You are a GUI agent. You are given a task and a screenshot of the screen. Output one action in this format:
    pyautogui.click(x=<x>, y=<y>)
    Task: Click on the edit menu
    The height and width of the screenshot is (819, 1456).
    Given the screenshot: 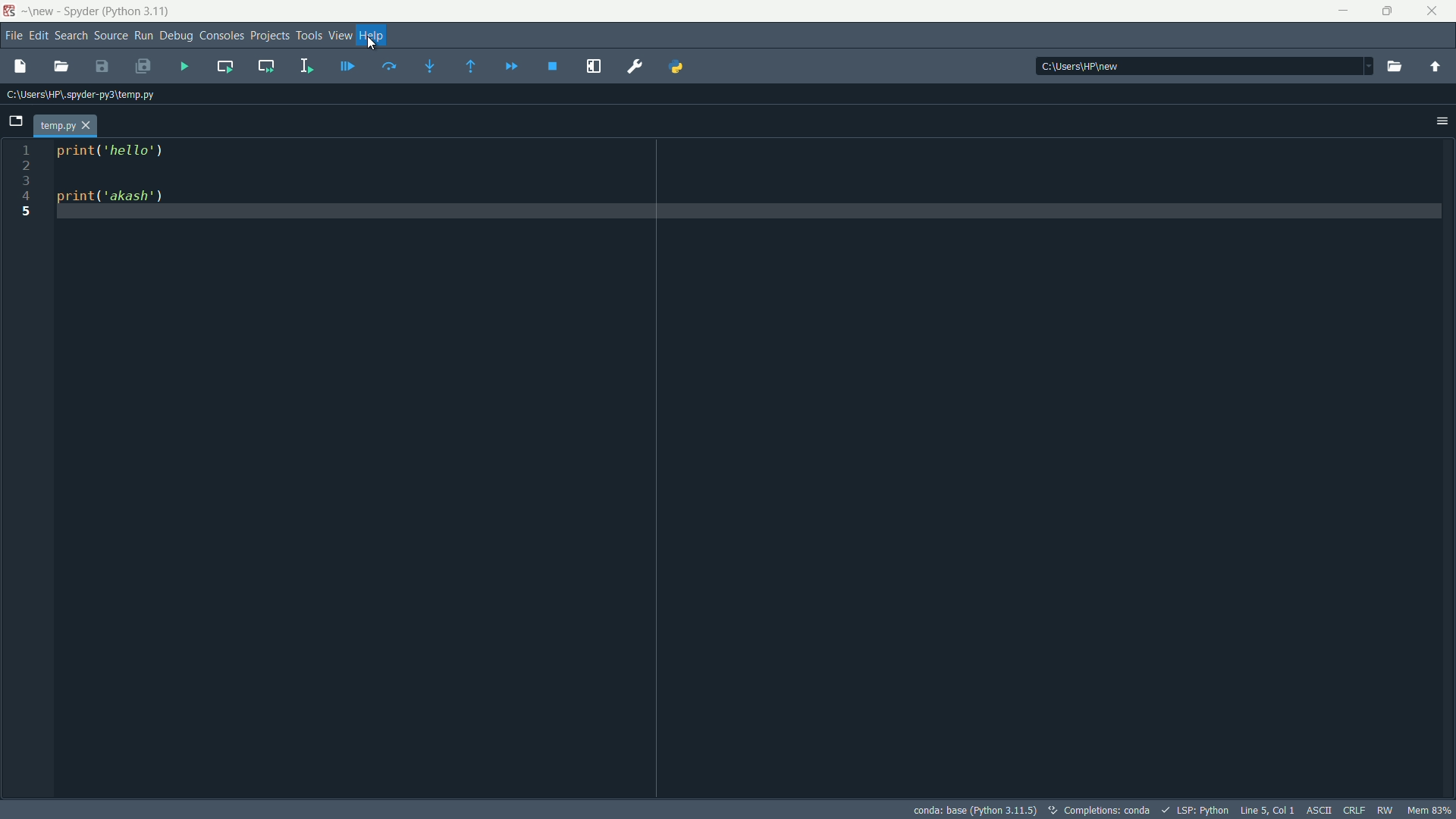 What is the action you would take?
    pyautogui.click(x=39, y=37)
    